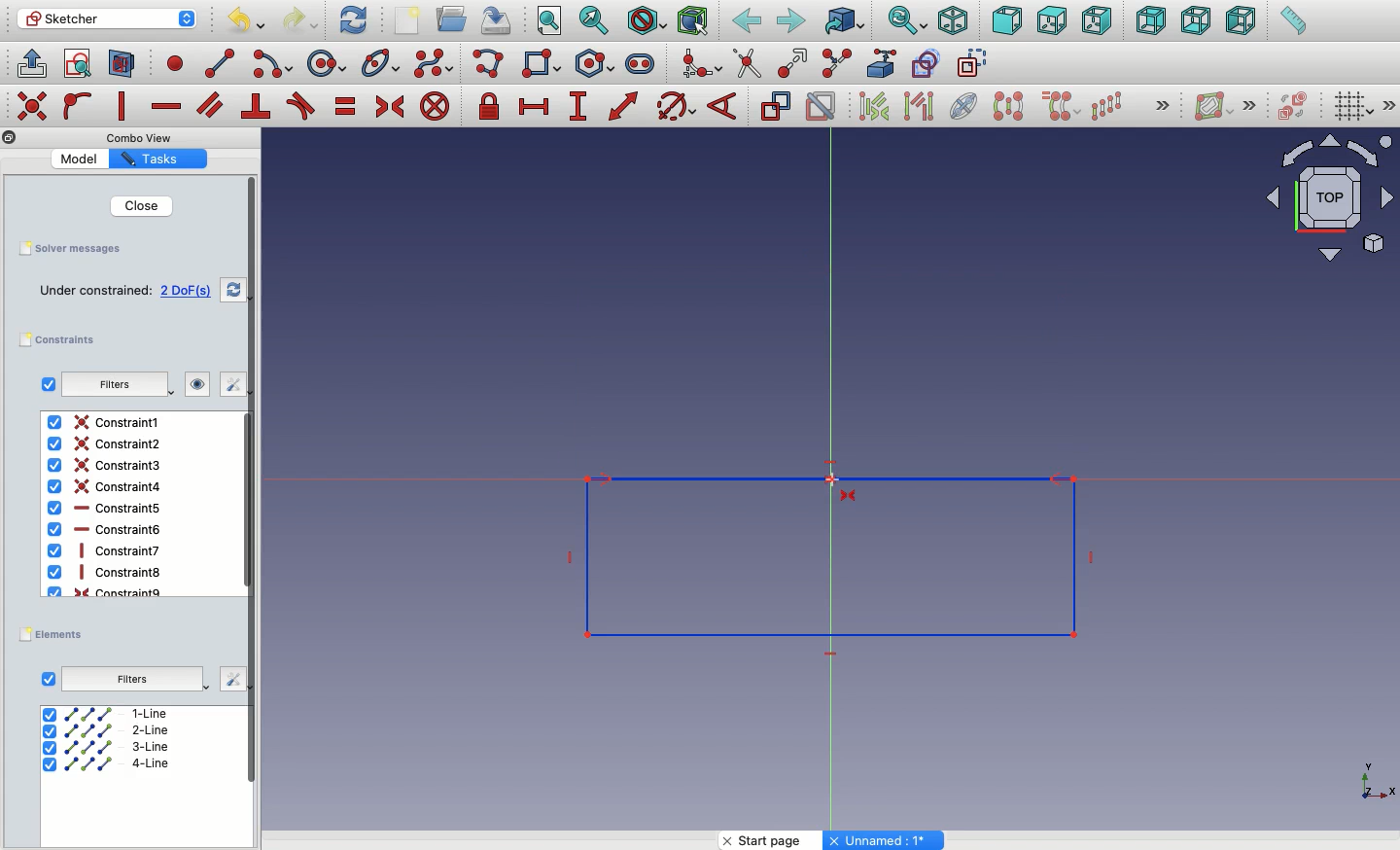 The width and height of the screenshot is (1400, 850). I want to click on Carbon copy, so click(925, 63).